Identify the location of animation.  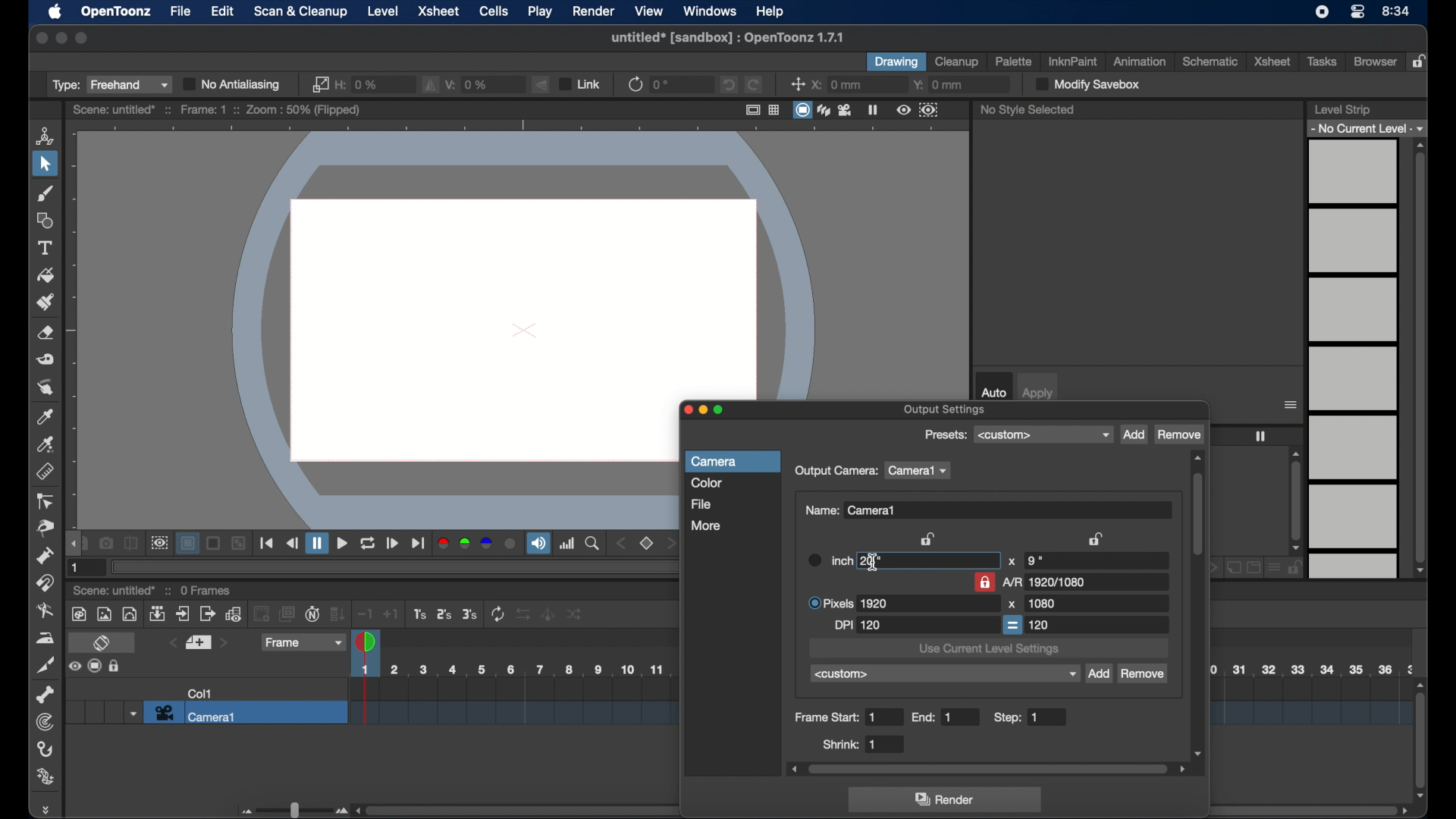
(1138, 61).